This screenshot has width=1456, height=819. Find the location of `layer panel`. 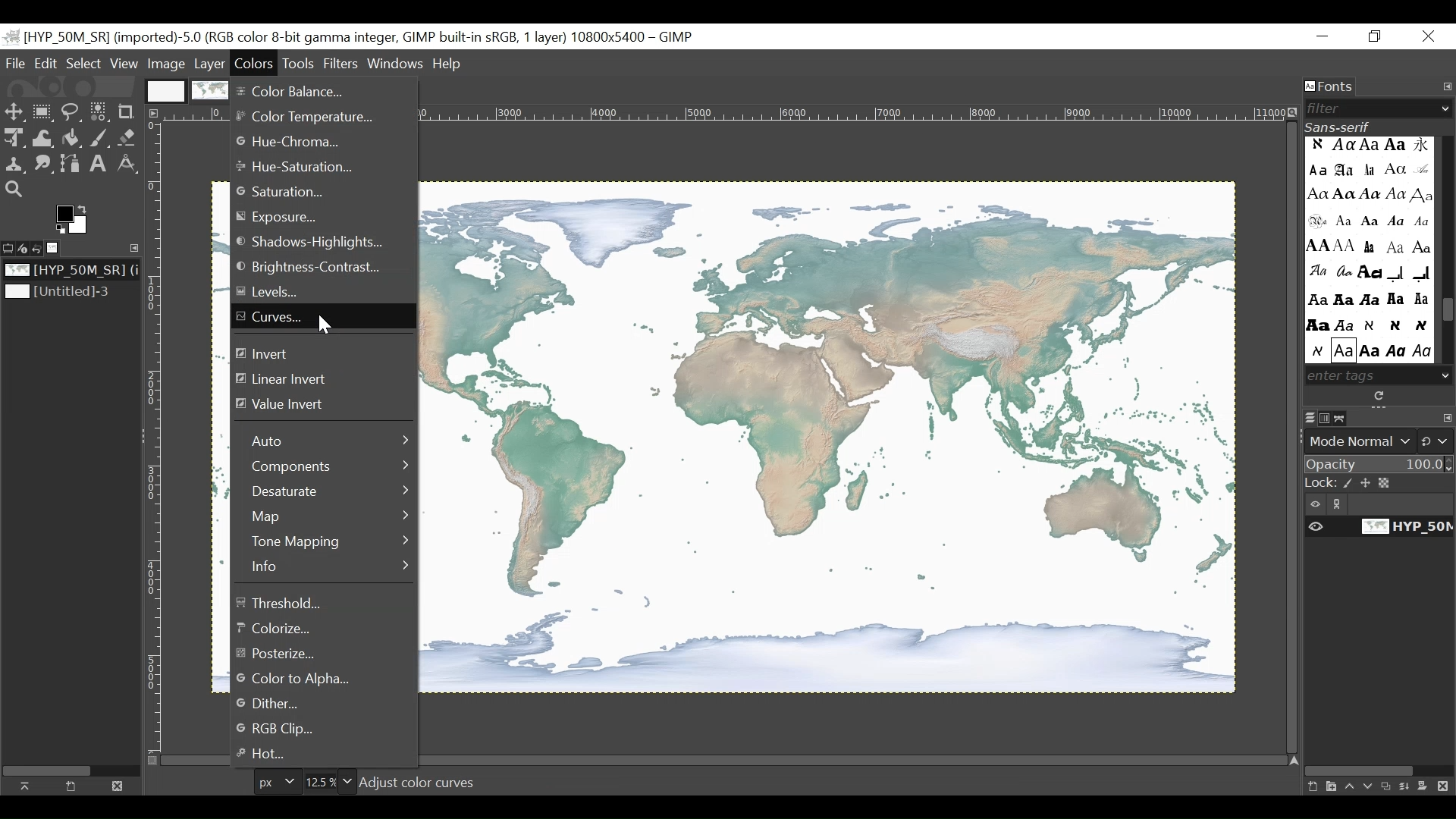

layer panel is located at coordinates (1375, 782).